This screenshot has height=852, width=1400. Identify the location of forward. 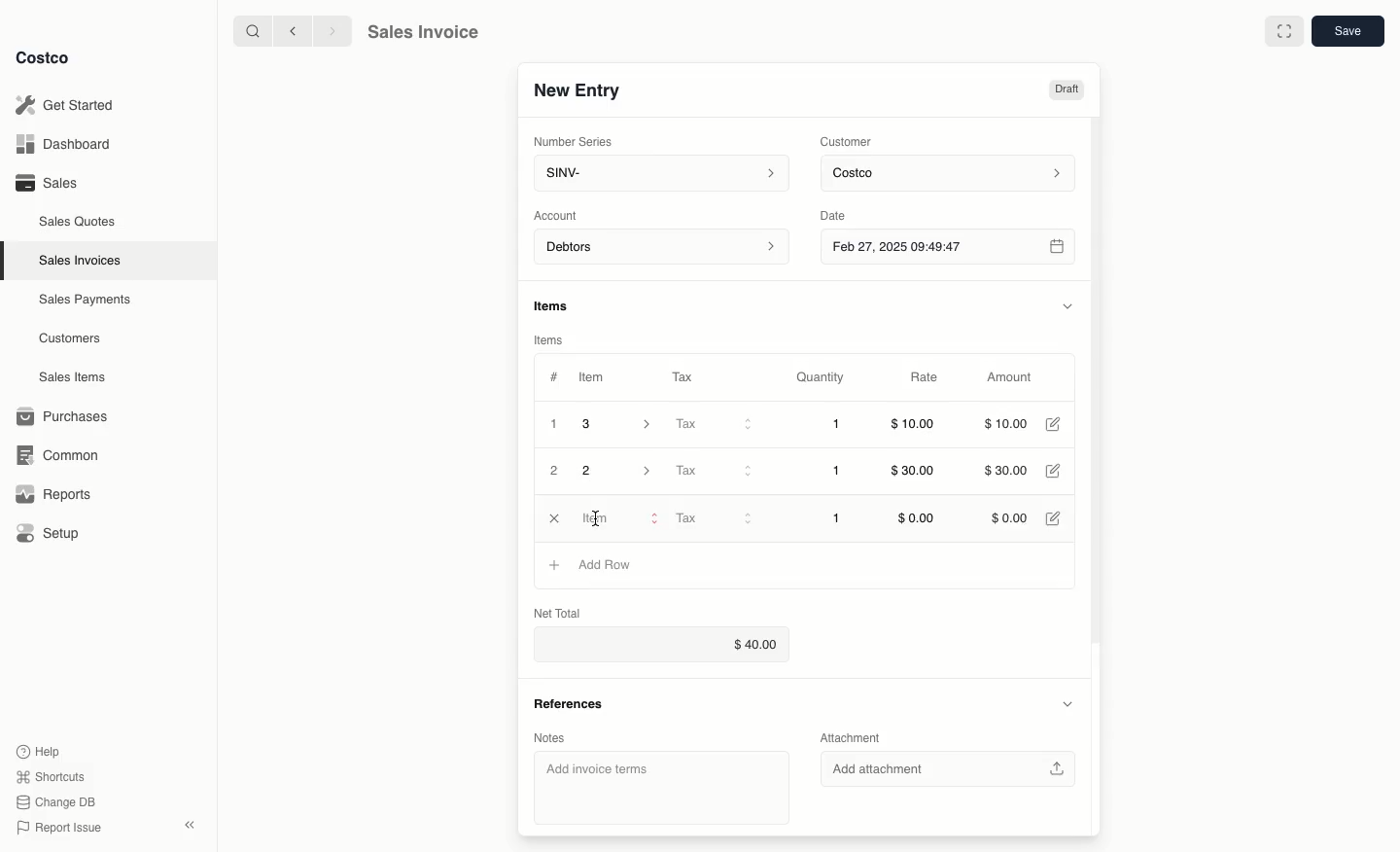
(330, 30).